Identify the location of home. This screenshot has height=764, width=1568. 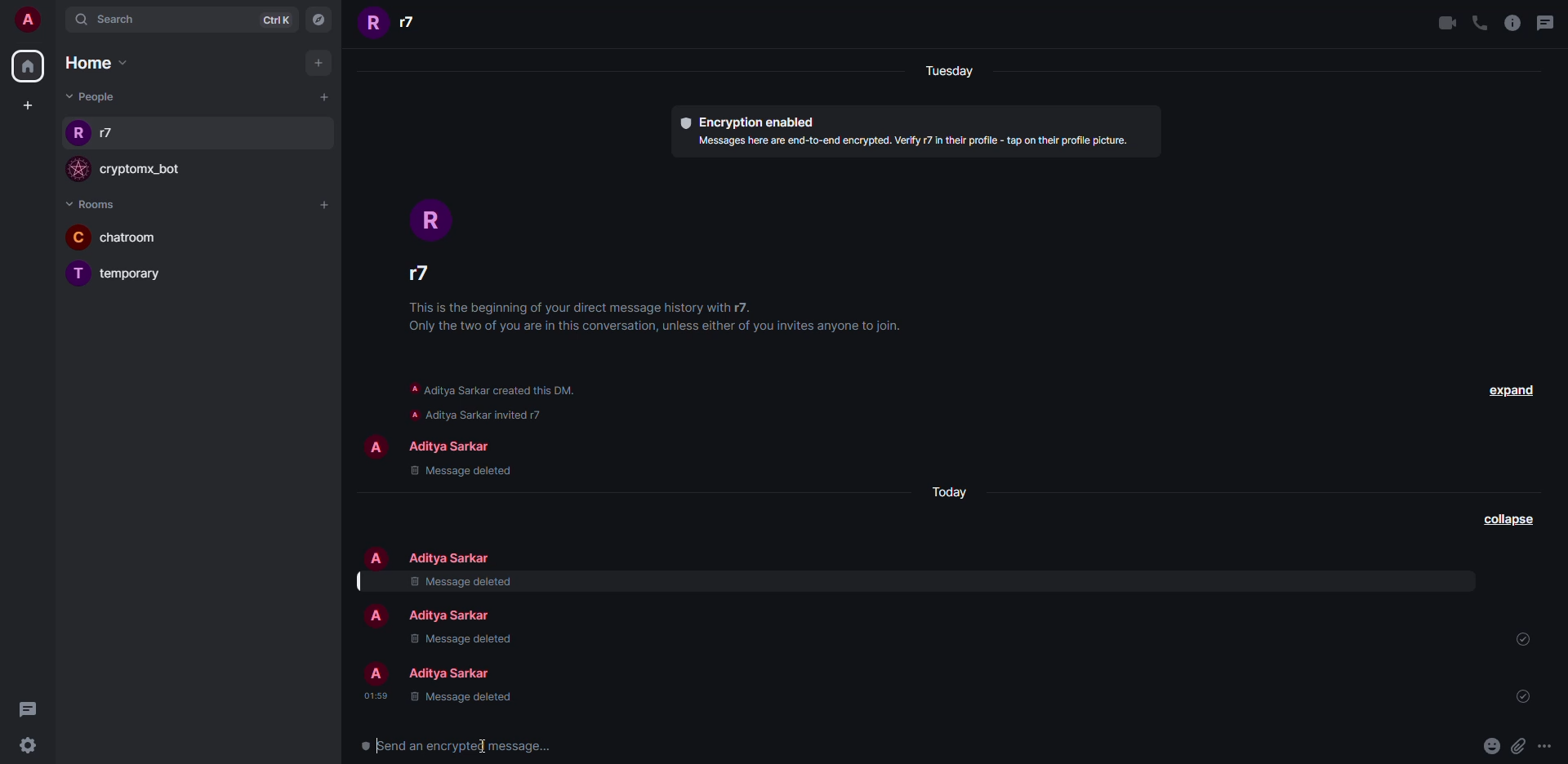
(27, 69).